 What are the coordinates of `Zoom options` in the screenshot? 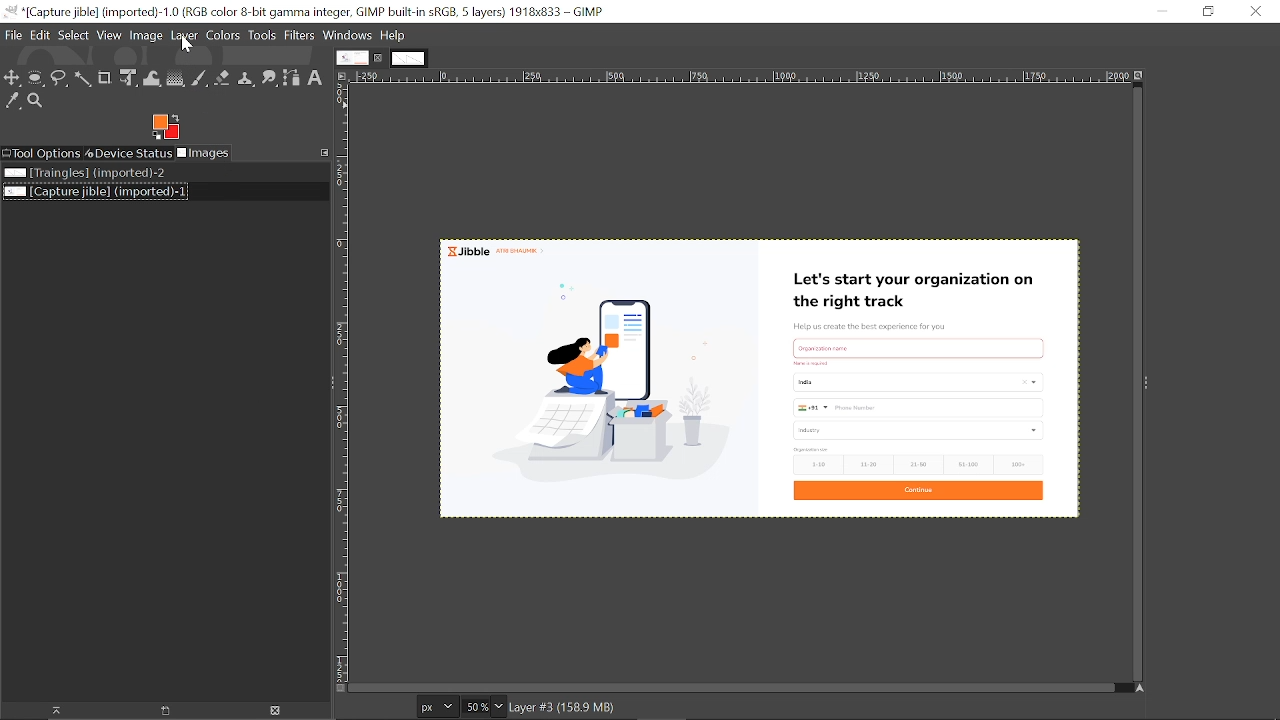 It's located at (498, 707).